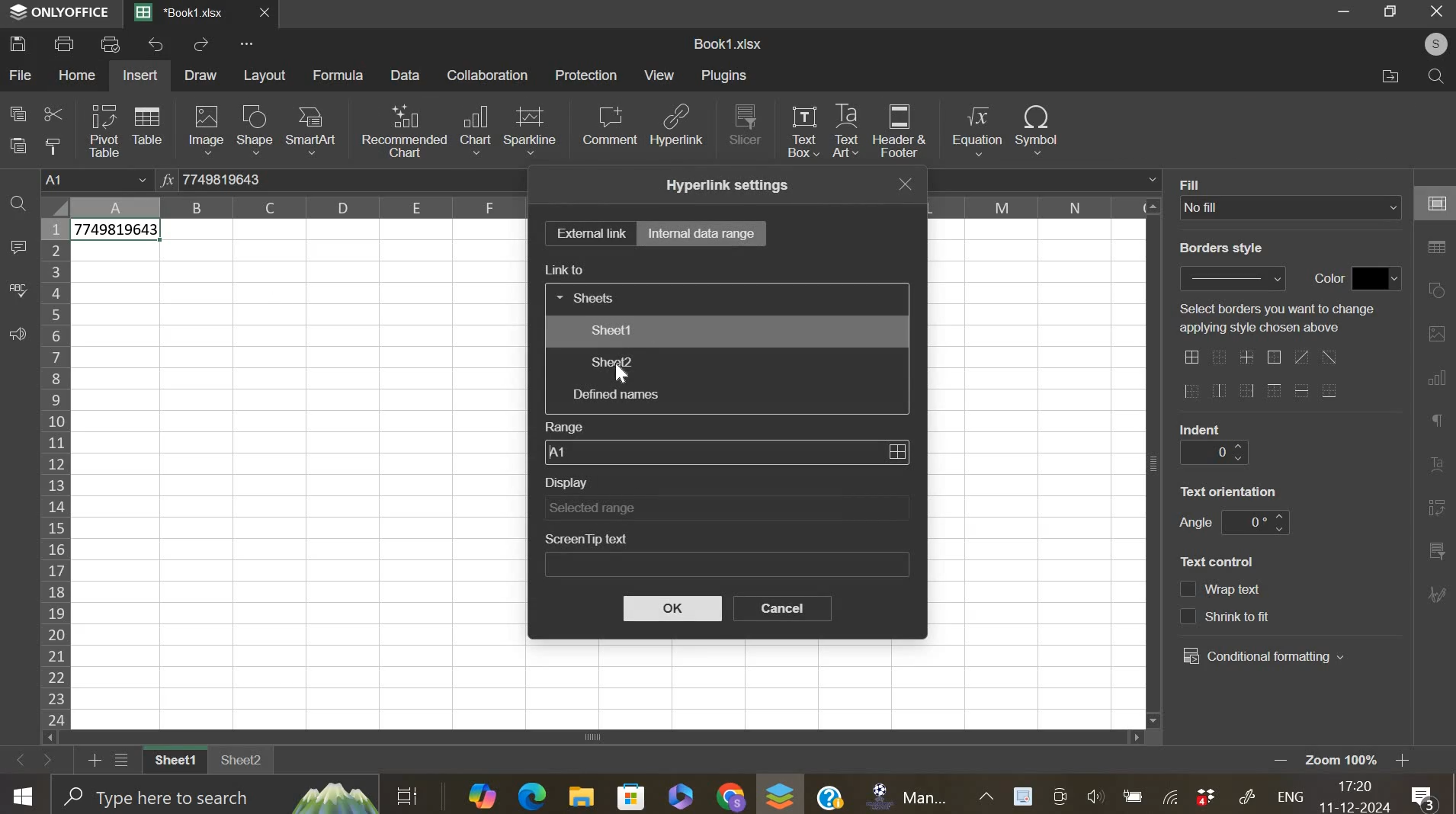 The image size is (1456, 814). I want to click on header & footer, so click(900, 131).